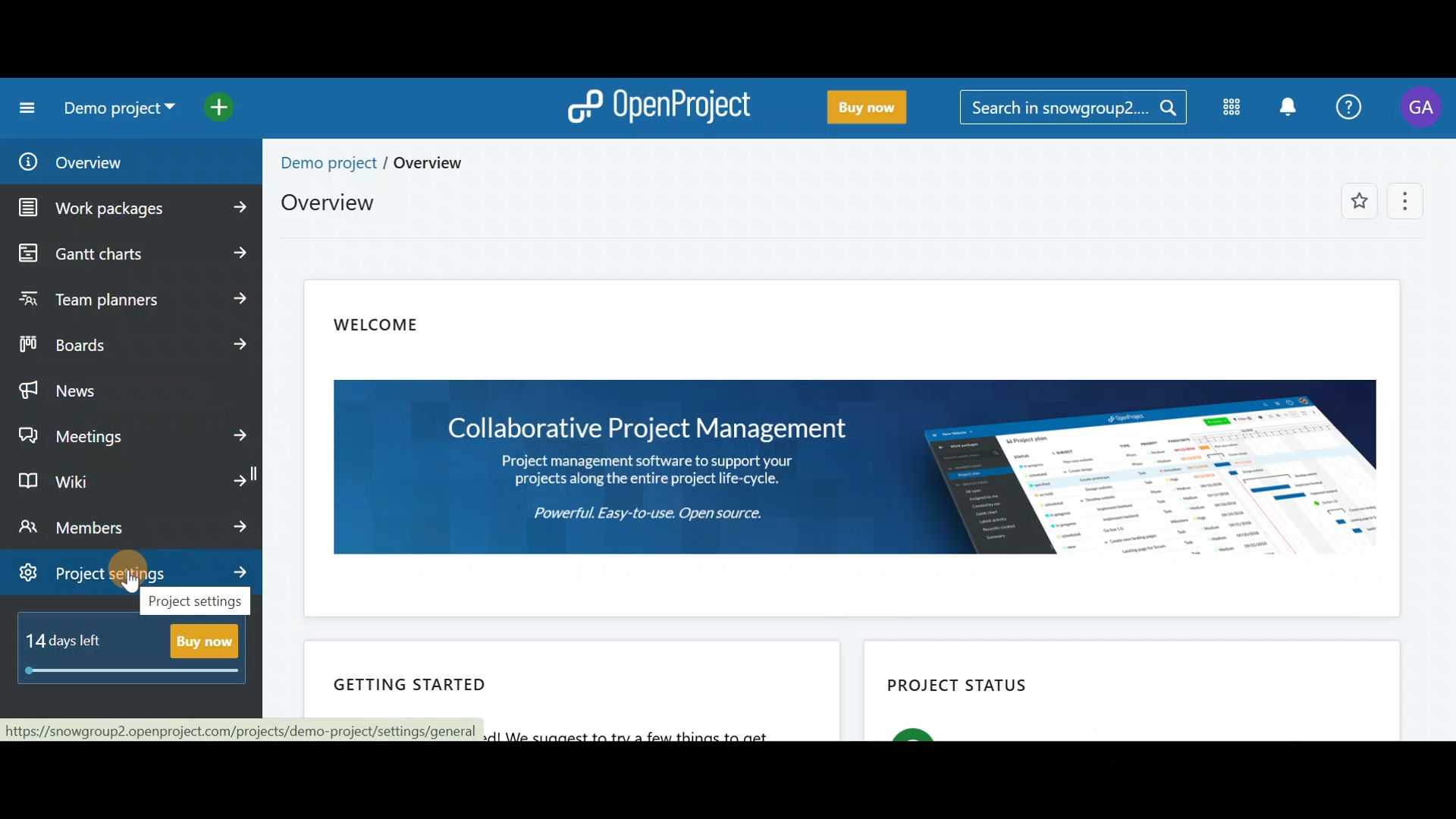 The height and width of the screenshot is (819, 1456). What do you see at coordinates (1403, 202) in the screenshot?
I see `More options` at bounding box center [1403, 202].